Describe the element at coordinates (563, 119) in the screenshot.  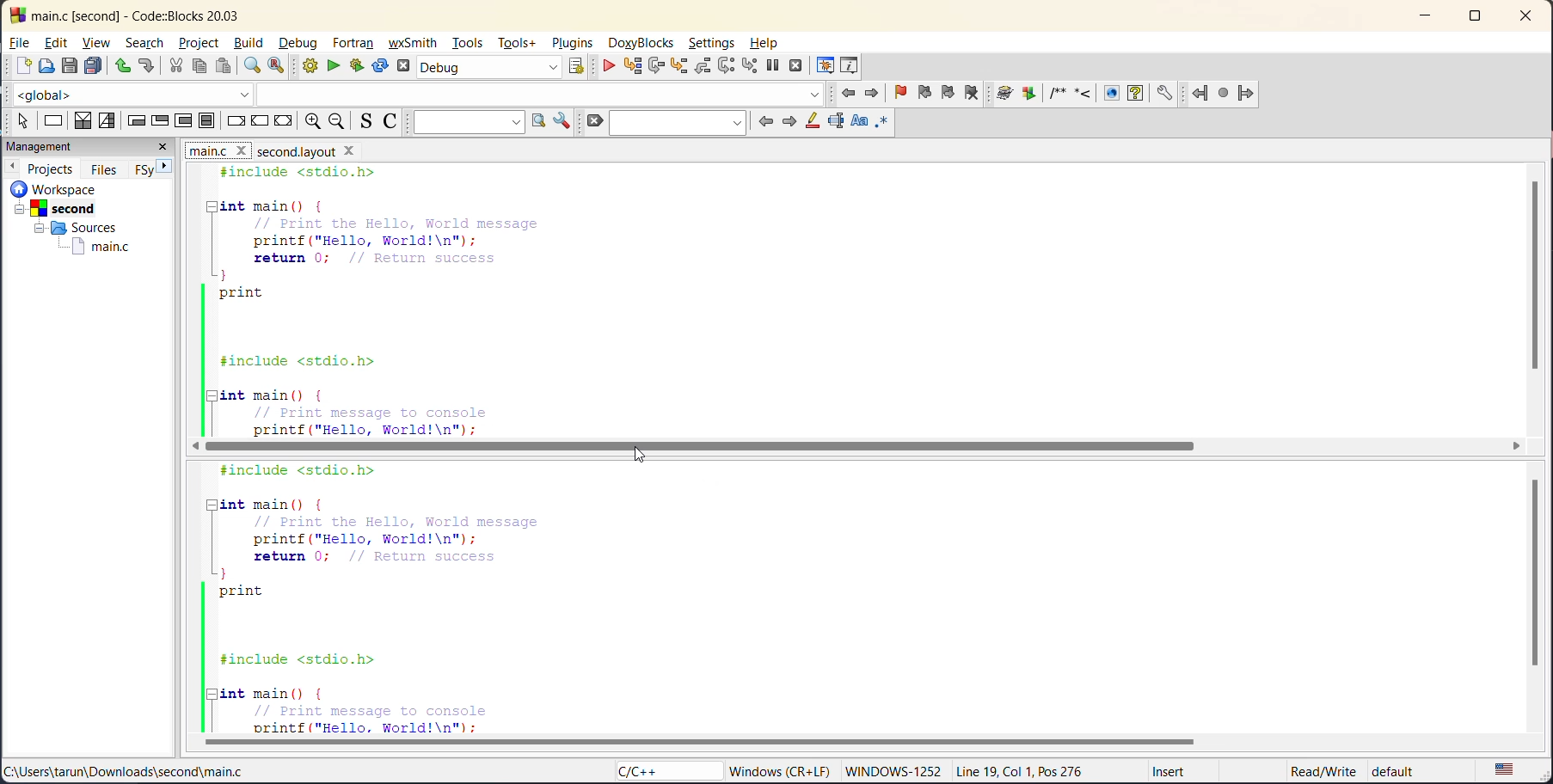
I see `show options window` at that location.